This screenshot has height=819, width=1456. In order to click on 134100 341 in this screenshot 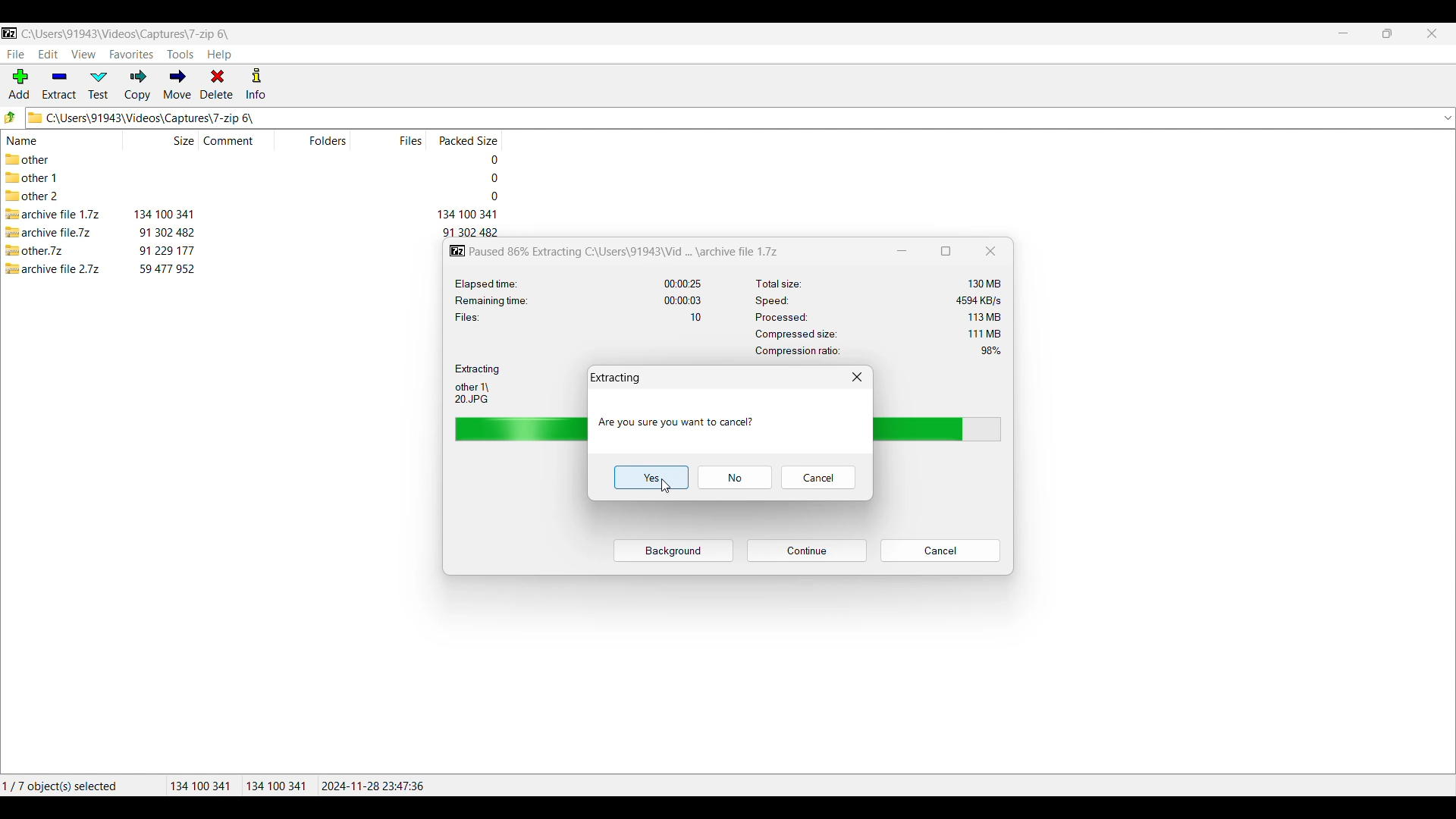, I will do `click(200, 786)`.